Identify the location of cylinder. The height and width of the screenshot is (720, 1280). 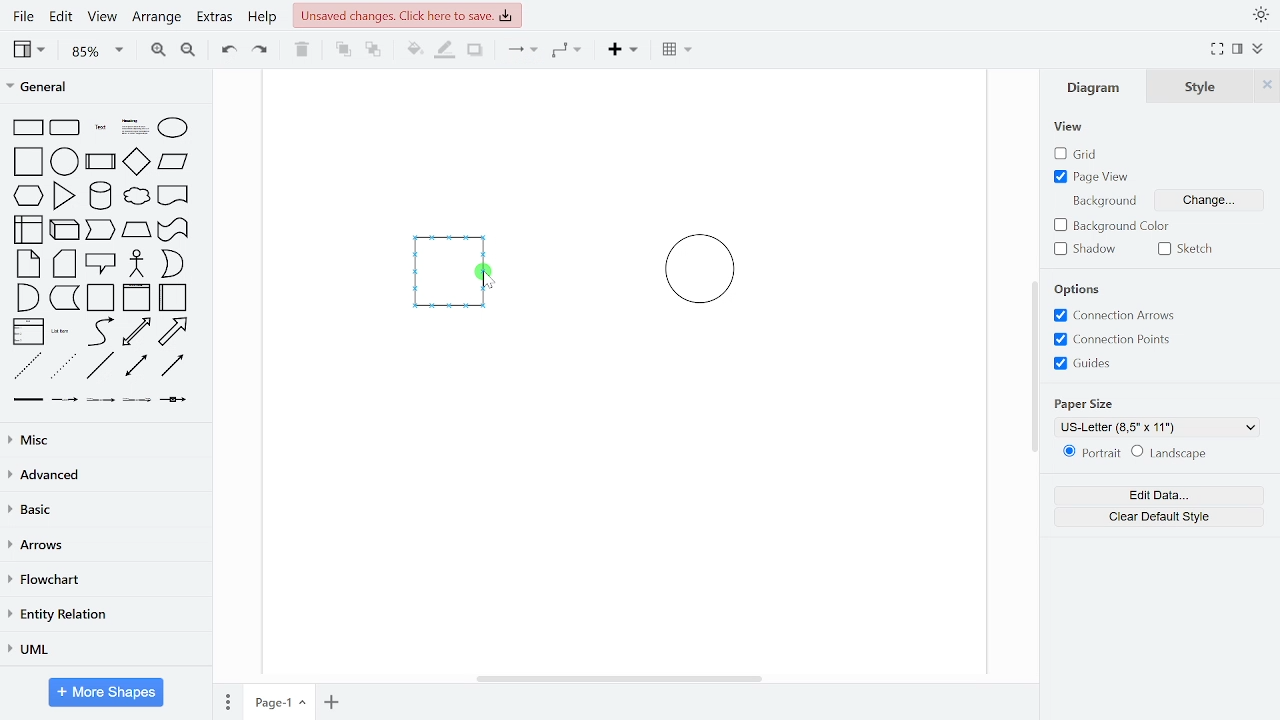
(102, 197).